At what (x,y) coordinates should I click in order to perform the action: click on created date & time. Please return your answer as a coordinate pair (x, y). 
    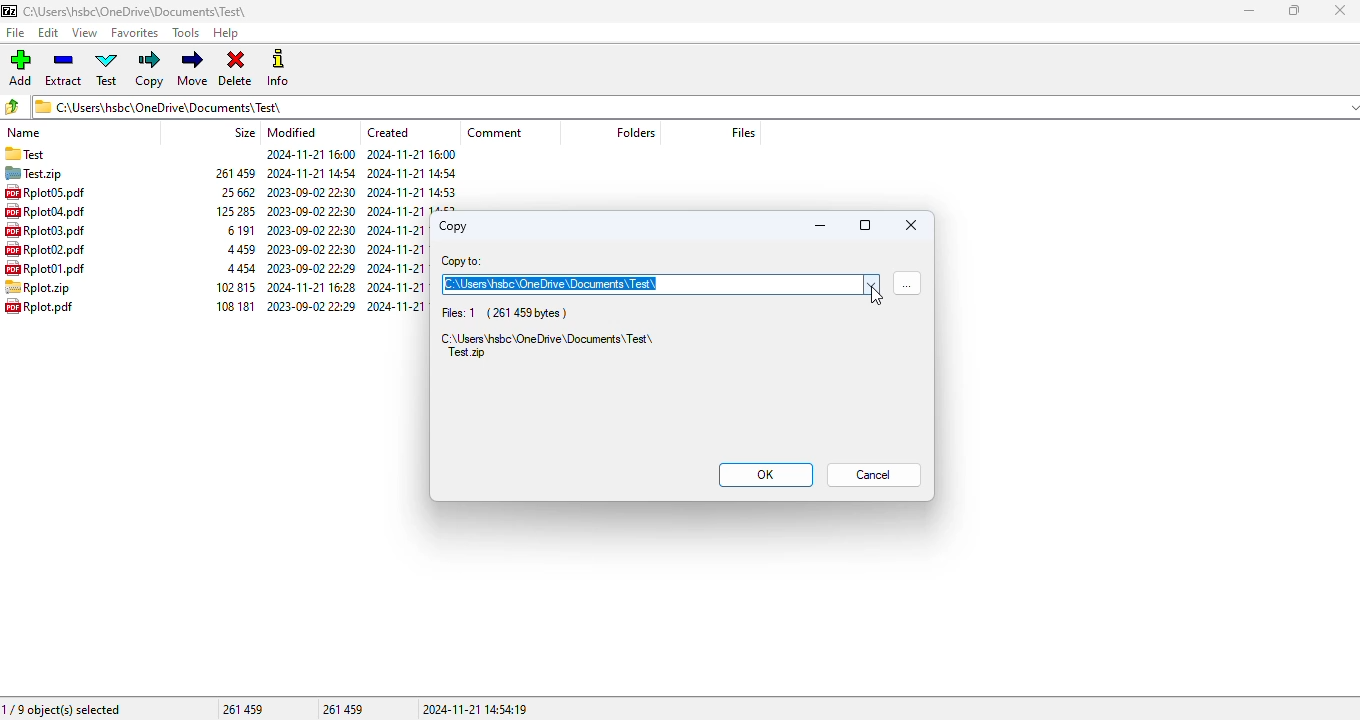
    Looking at the image, I should click on (397, 230).